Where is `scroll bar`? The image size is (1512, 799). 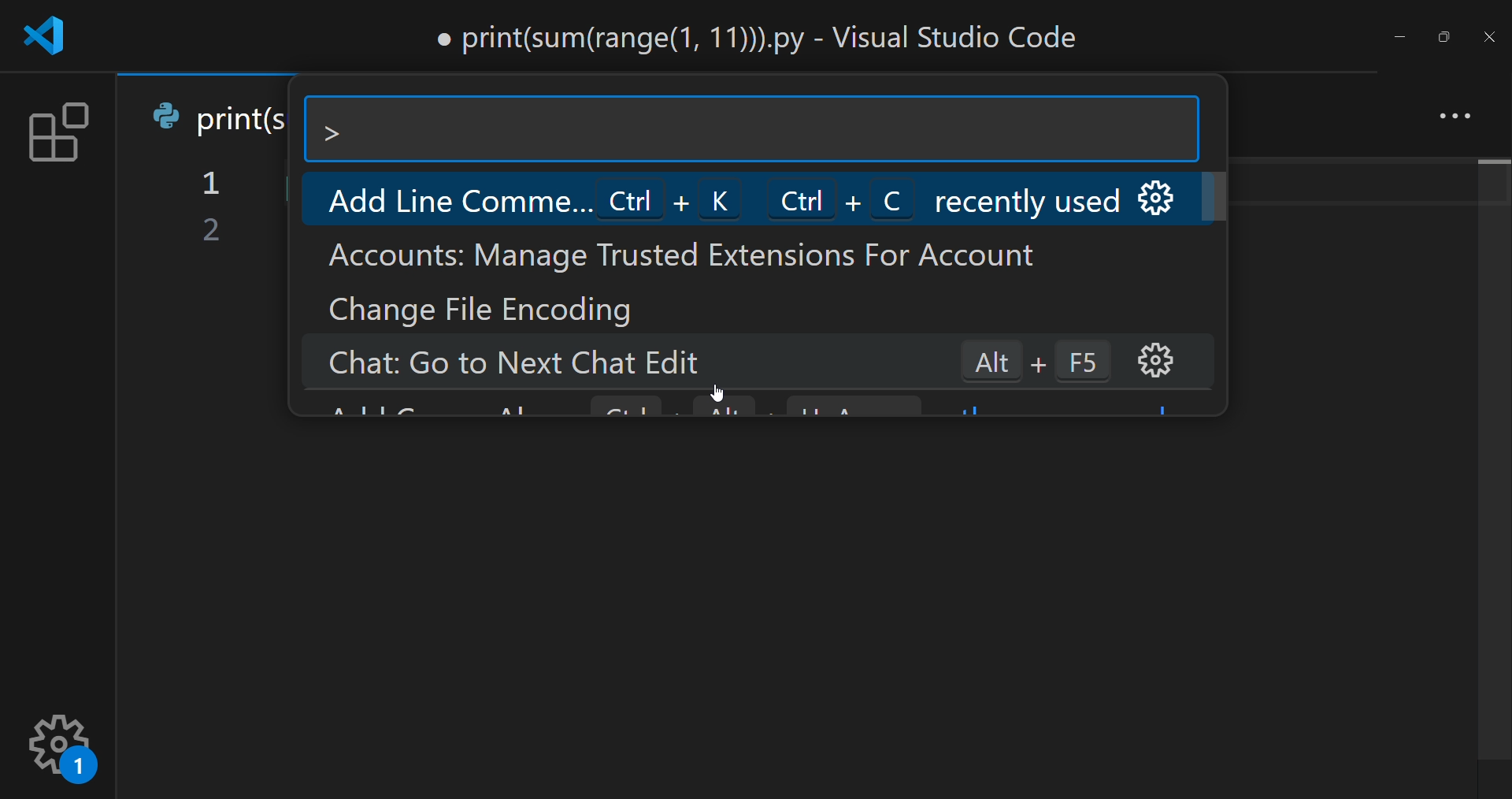 scroll bar is located at coordinates (1491, 462).